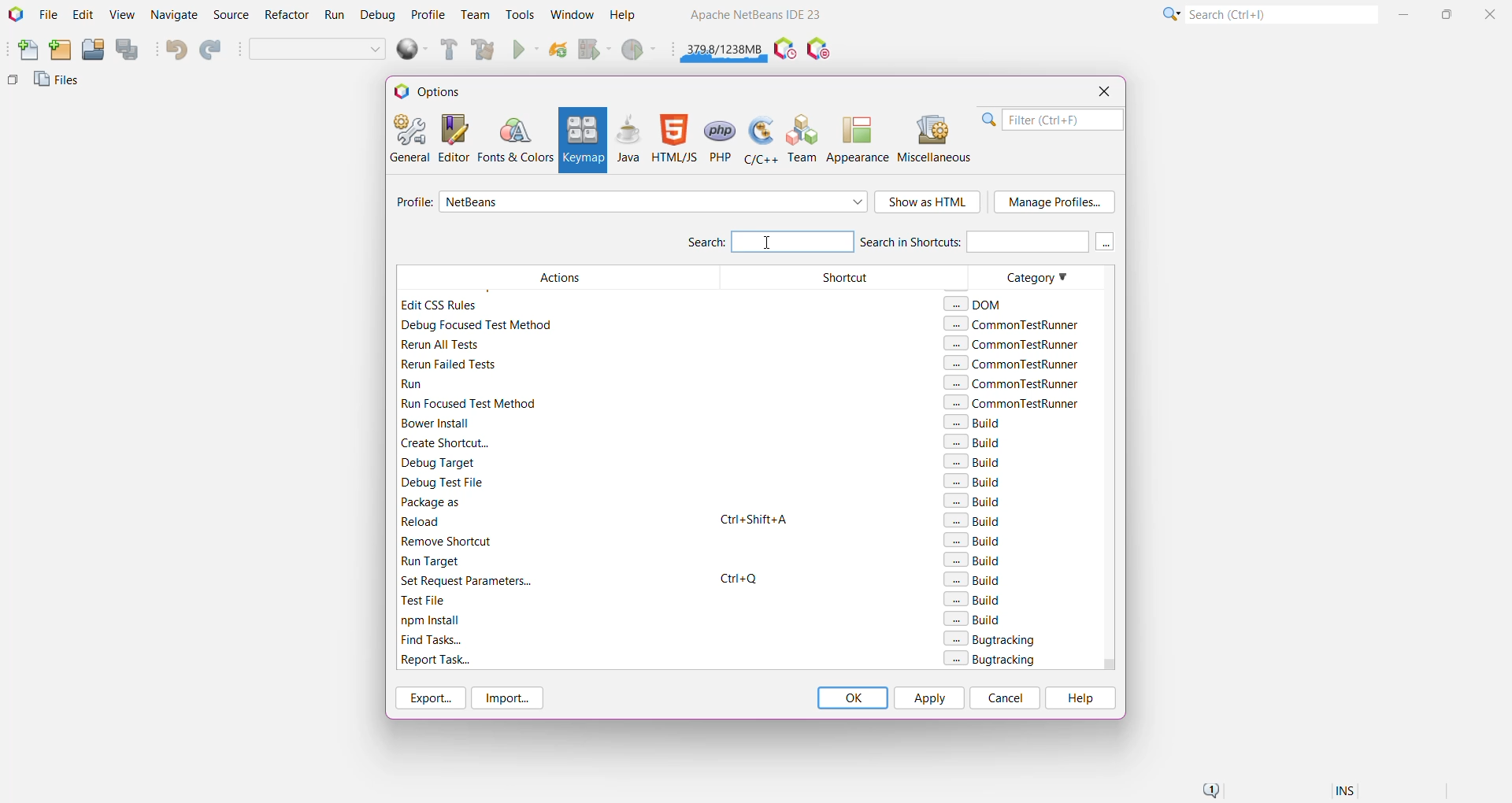 The image size is (1512, 803). I want to click on Keyboard Shortcut set for Build Action, so click(754, 595).